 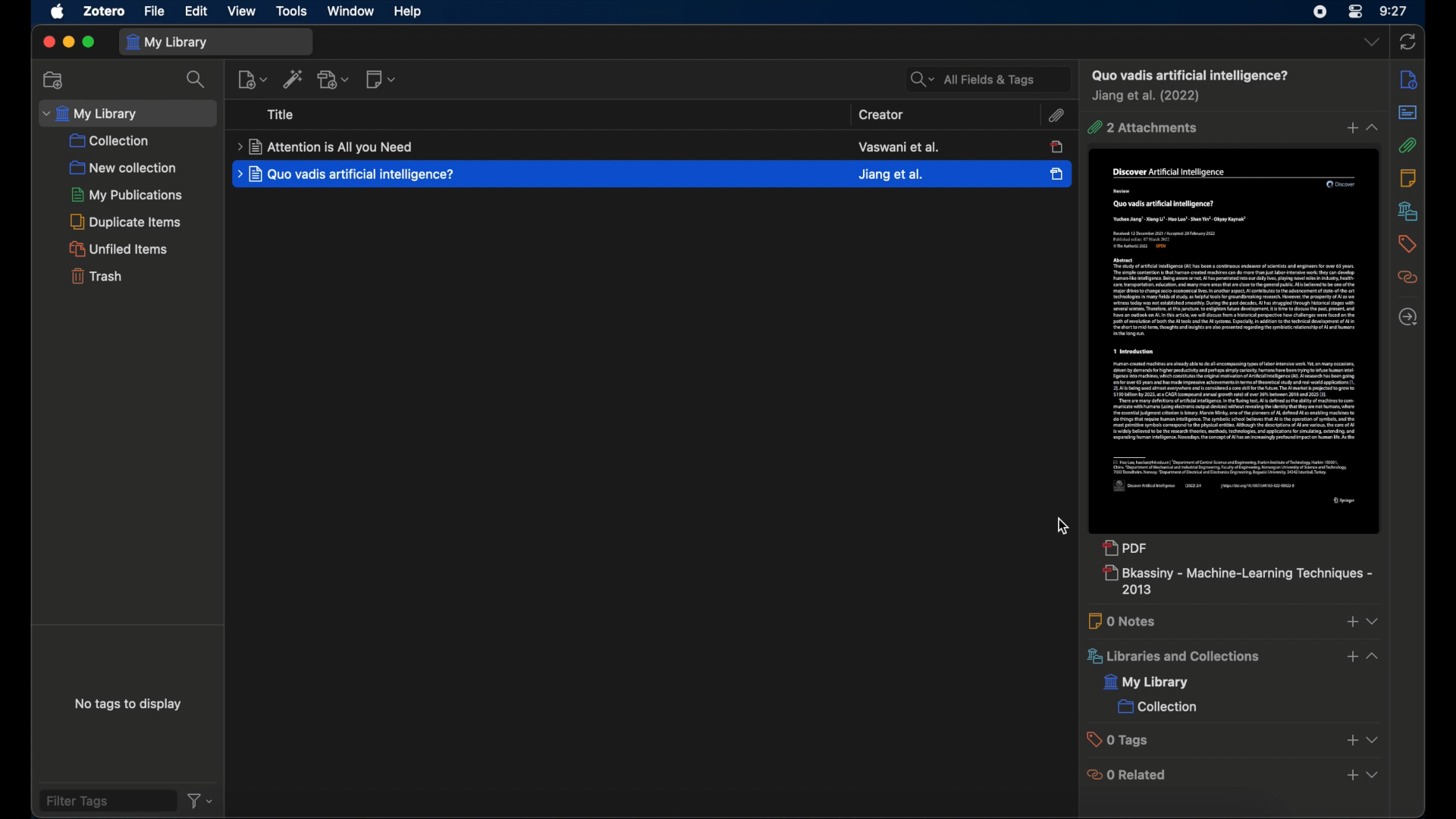 What do you see at coordinates (1233, 333) in the screenshot?
I see `journal item preview` at bounding box center [1233, 333].